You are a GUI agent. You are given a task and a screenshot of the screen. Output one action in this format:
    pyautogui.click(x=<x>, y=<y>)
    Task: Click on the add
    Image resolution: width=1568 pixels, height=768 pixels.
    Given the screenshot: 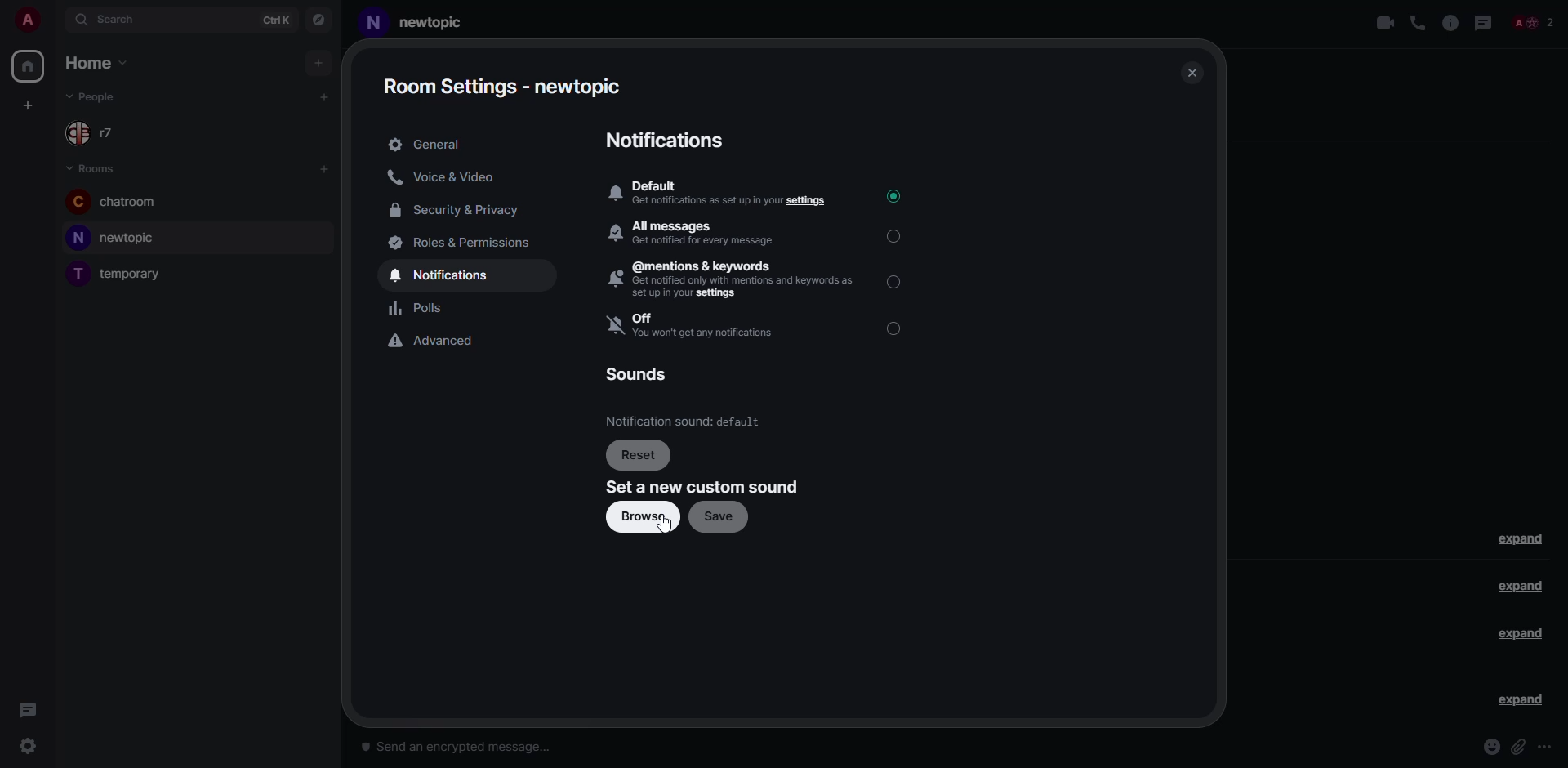 What is the action you would take?
    pyautogui.click(x=28, y=104)
    